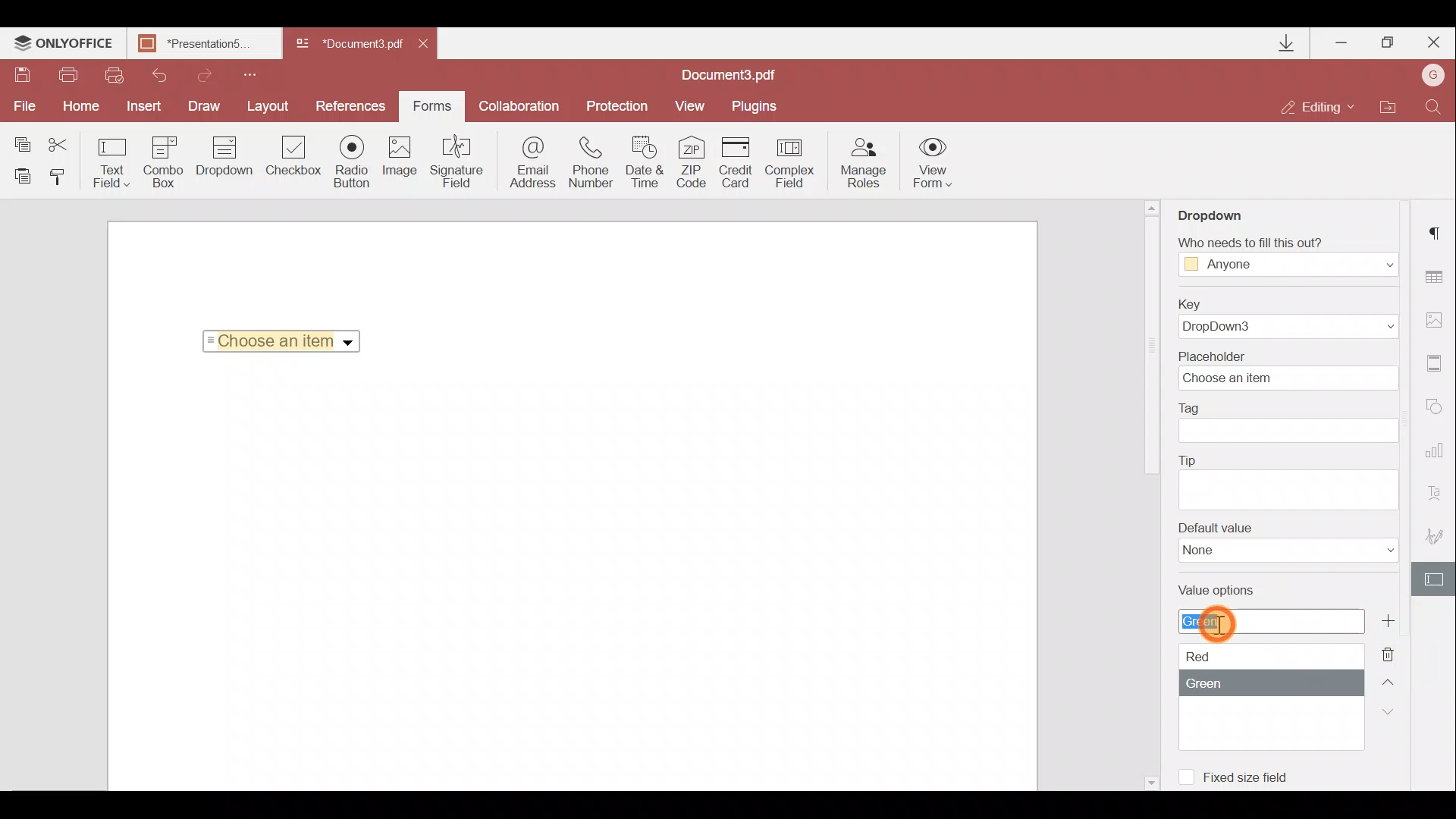 This screenshot has height=819, width=1456. I want to click on Checkbox, so click(294, 157).